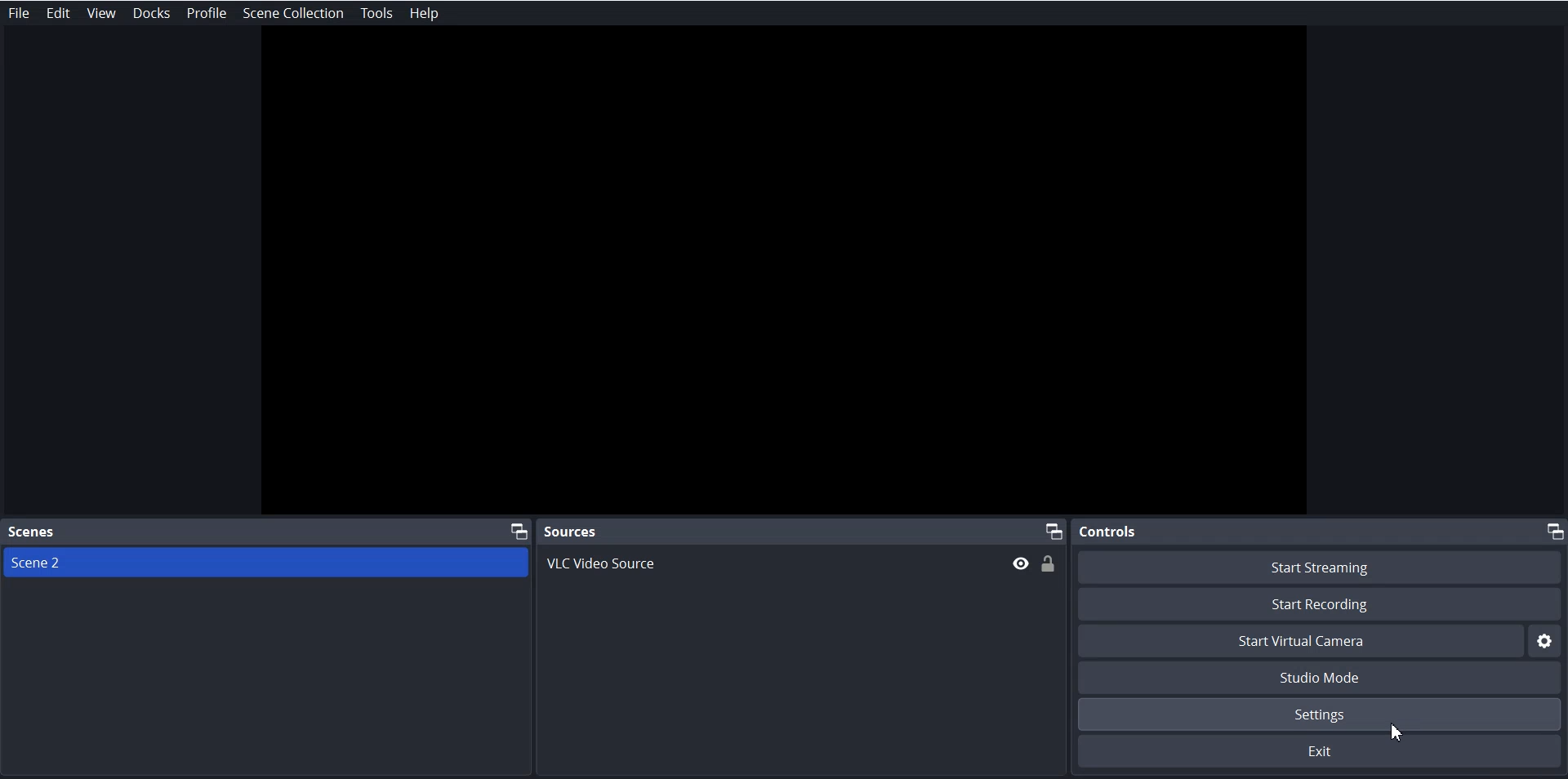  What do you see at coordinates (59, 13) in the screenshot?
I see `Edit` at bounding box center [59, 13].